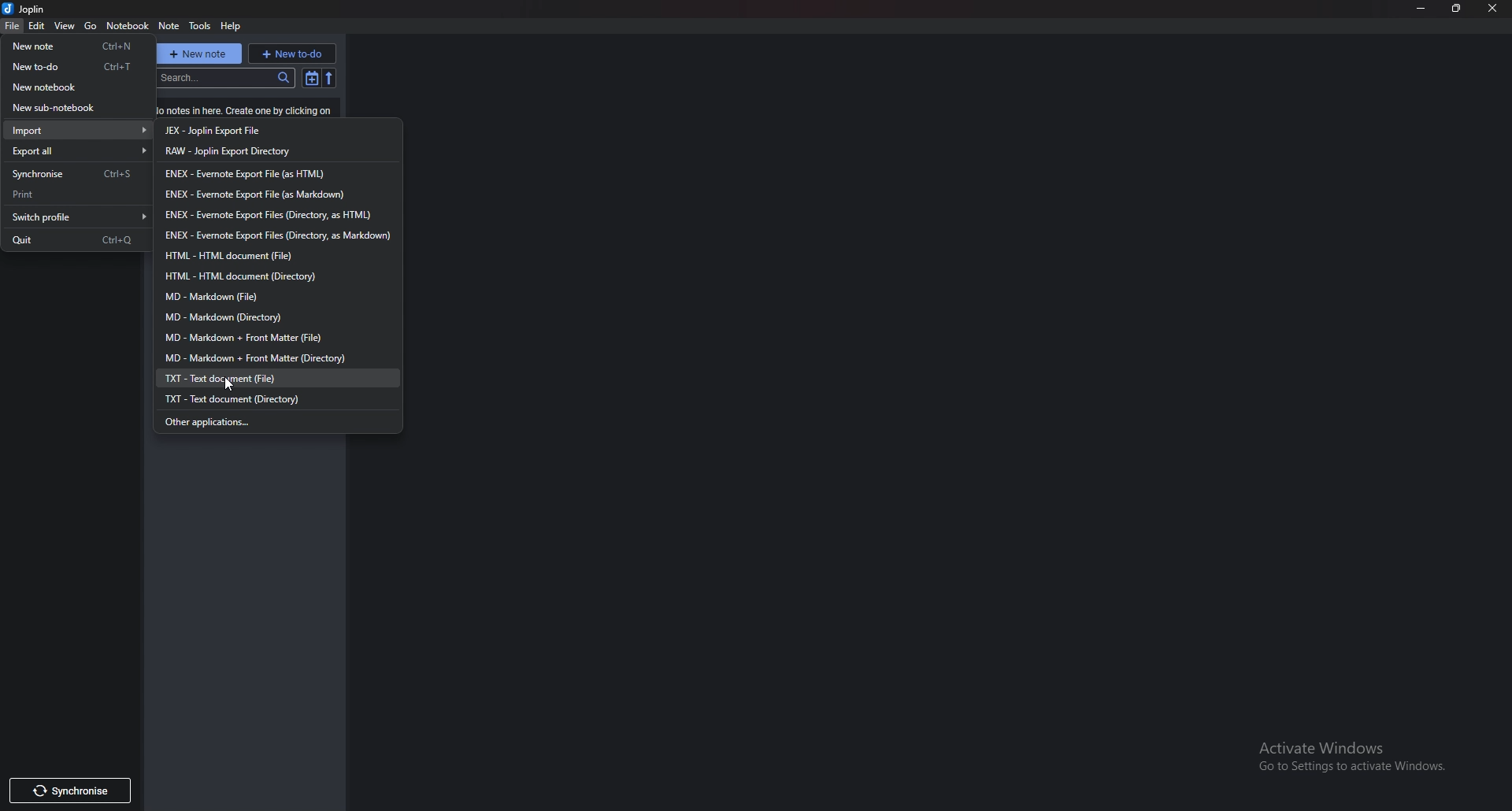 The width and height of the screenshot is (1512, 811). Describe the element at coordinates (257, 195) in the screenshot. I see `enex markdown` at that location.